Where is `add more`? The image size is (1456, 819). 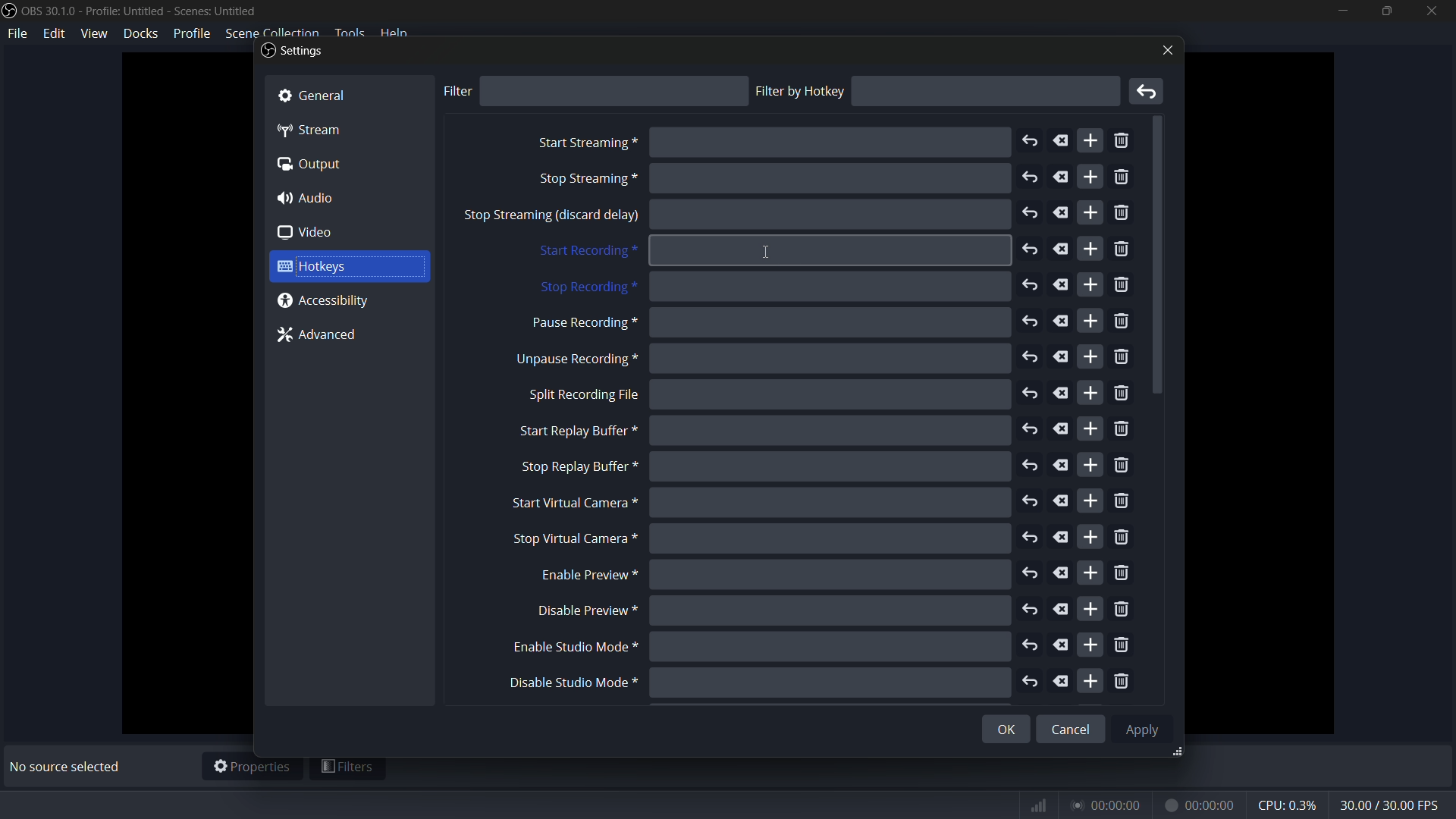
add more is located at coordinates (1092, 249).